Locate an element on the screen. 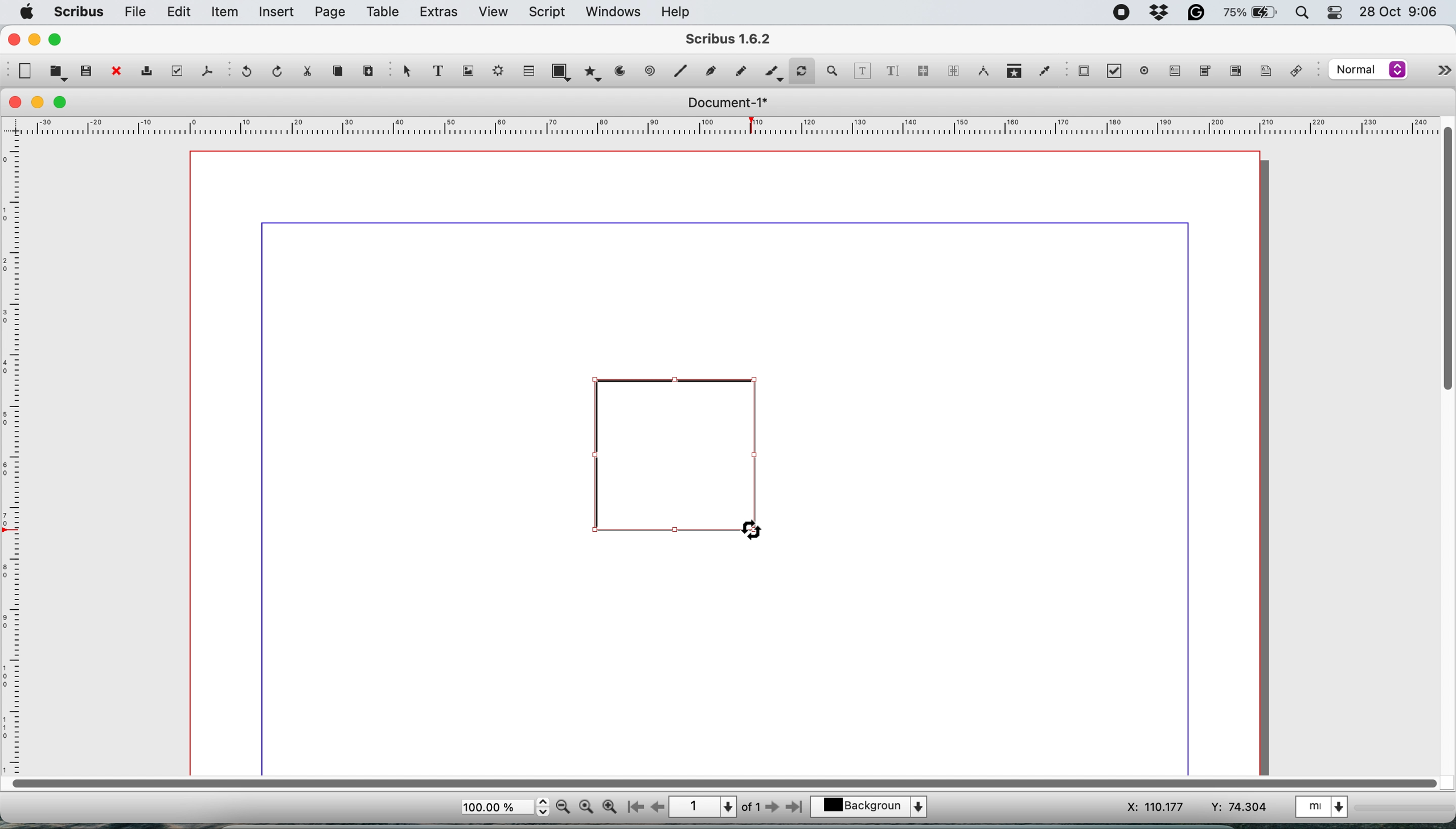  rotate is located at coordinates (803, 67).